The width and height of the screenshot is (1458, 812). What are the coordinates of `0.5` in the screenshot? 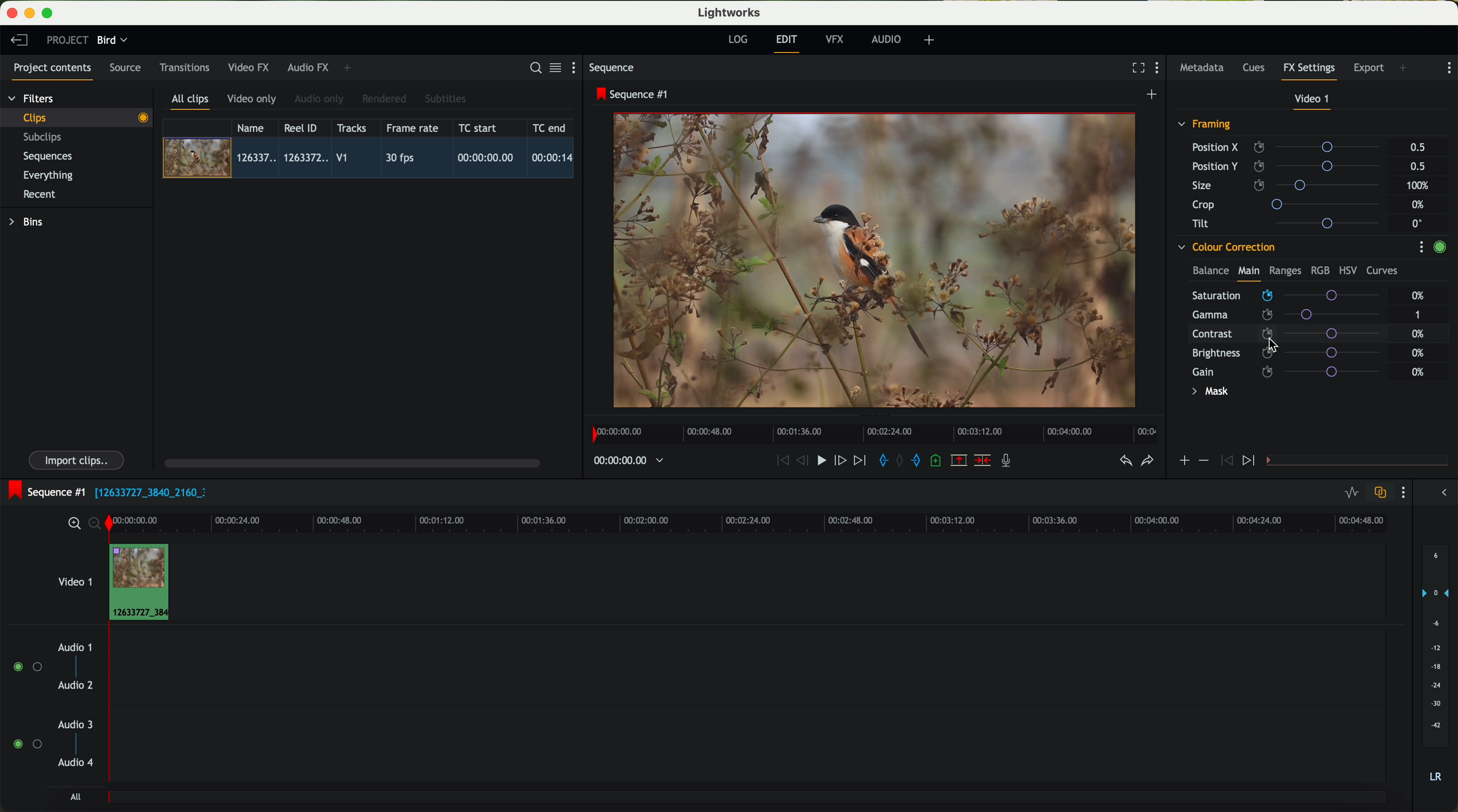 It's located at (1417, 166).